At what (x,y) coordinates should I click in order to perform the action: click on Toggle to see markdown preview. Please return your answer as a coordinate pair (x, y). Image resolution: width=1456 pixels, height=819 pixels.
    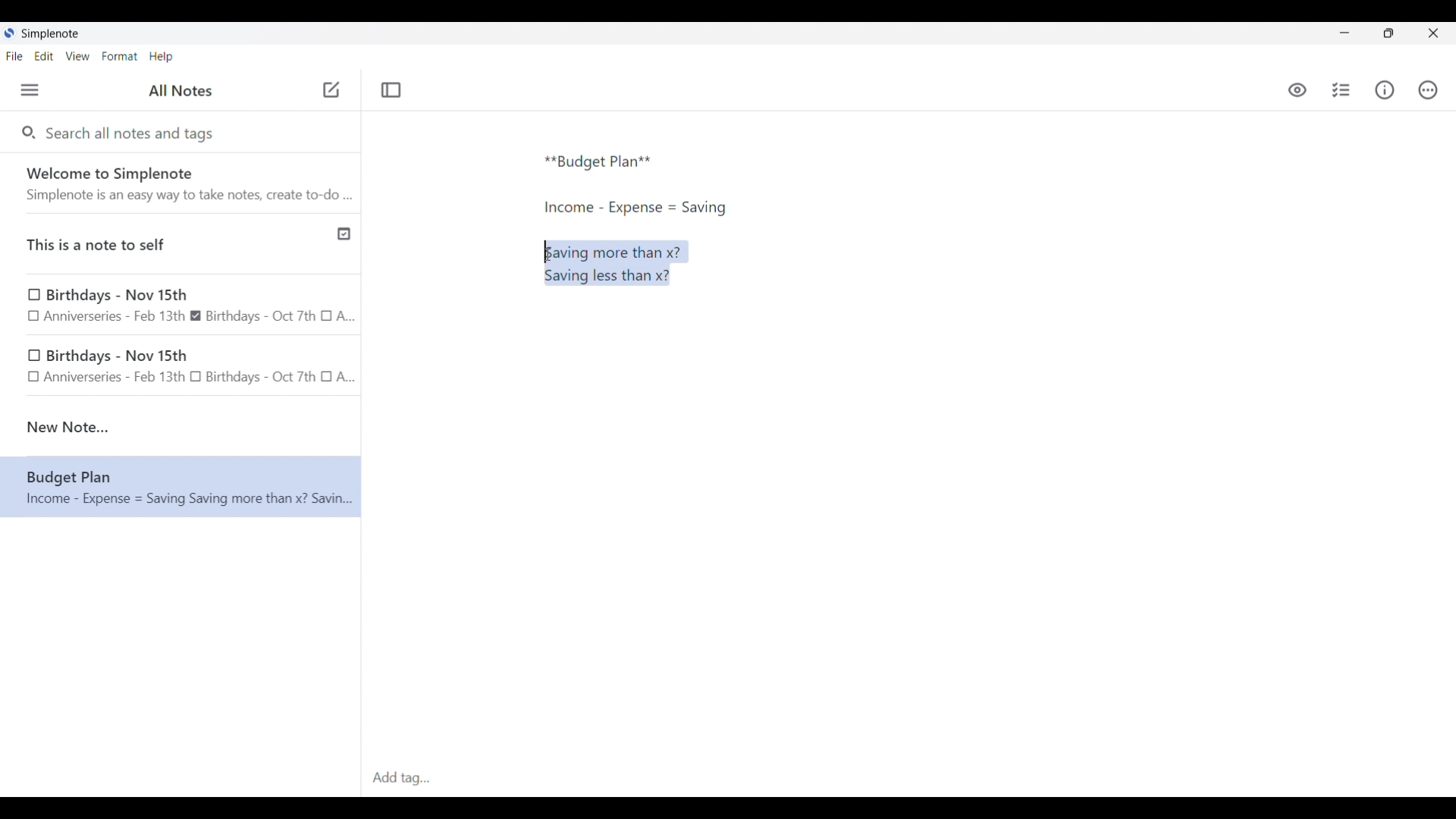
    Looking at the image, I should click on (1298, 90).